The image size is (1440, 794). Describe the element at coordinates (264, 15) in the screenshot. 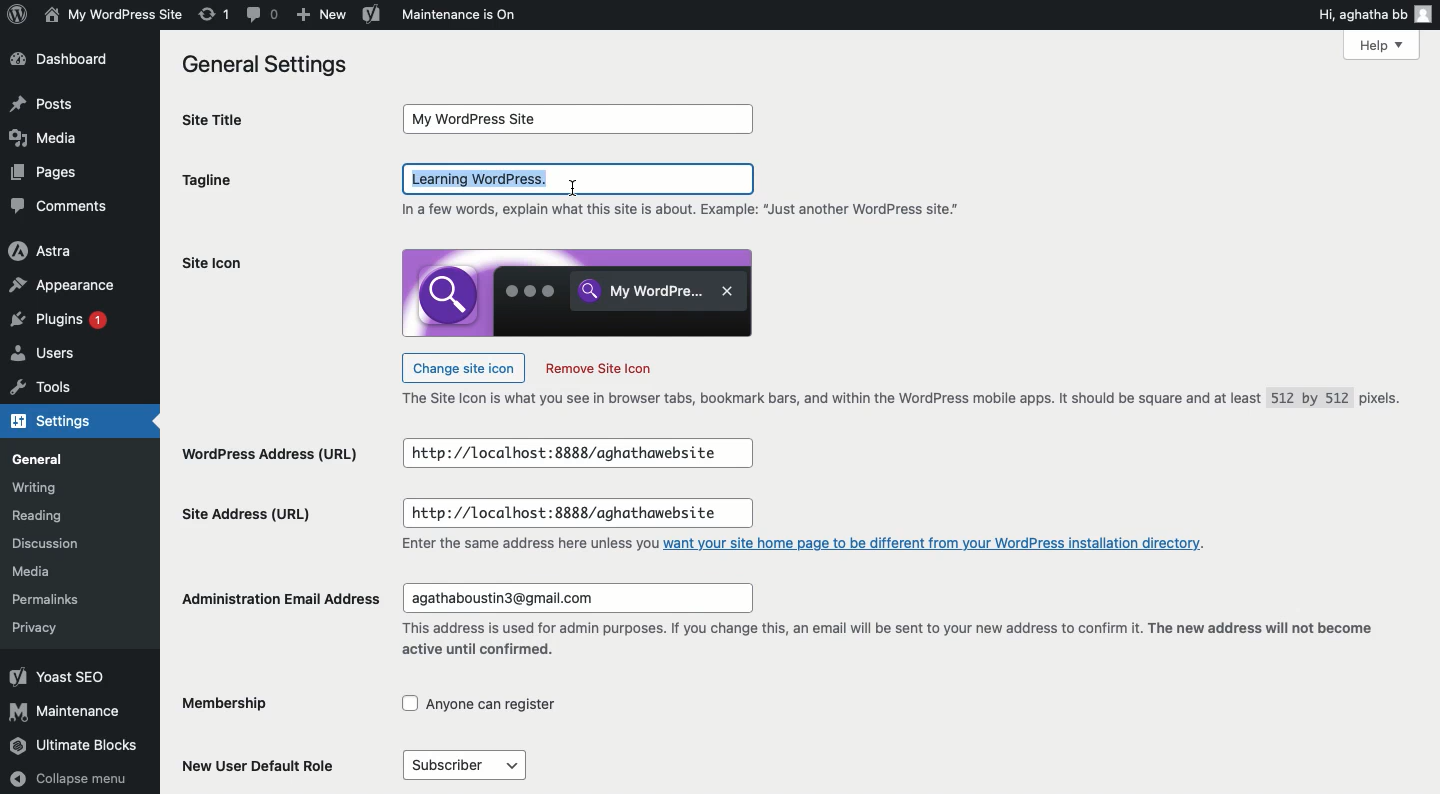

I see `Comment` at that location.